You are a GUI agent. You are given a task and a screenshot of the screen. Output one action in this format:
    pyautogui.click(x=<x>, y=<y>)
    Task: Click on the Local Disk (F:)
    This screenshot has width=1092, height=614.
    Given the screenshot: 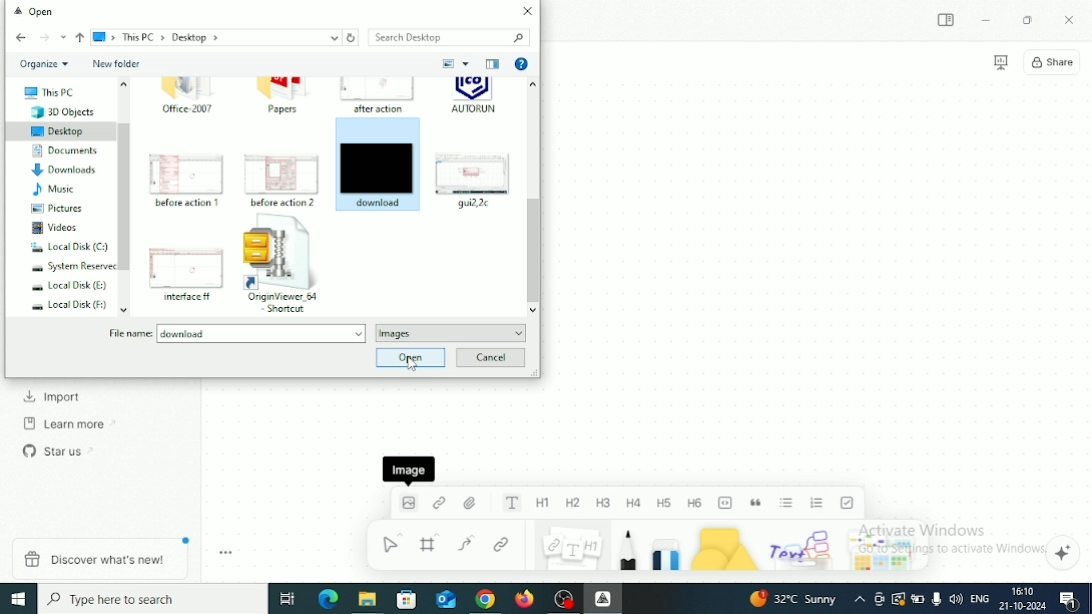 What is the action you would take?
    pyautogui.click(x=63, y=306)
    